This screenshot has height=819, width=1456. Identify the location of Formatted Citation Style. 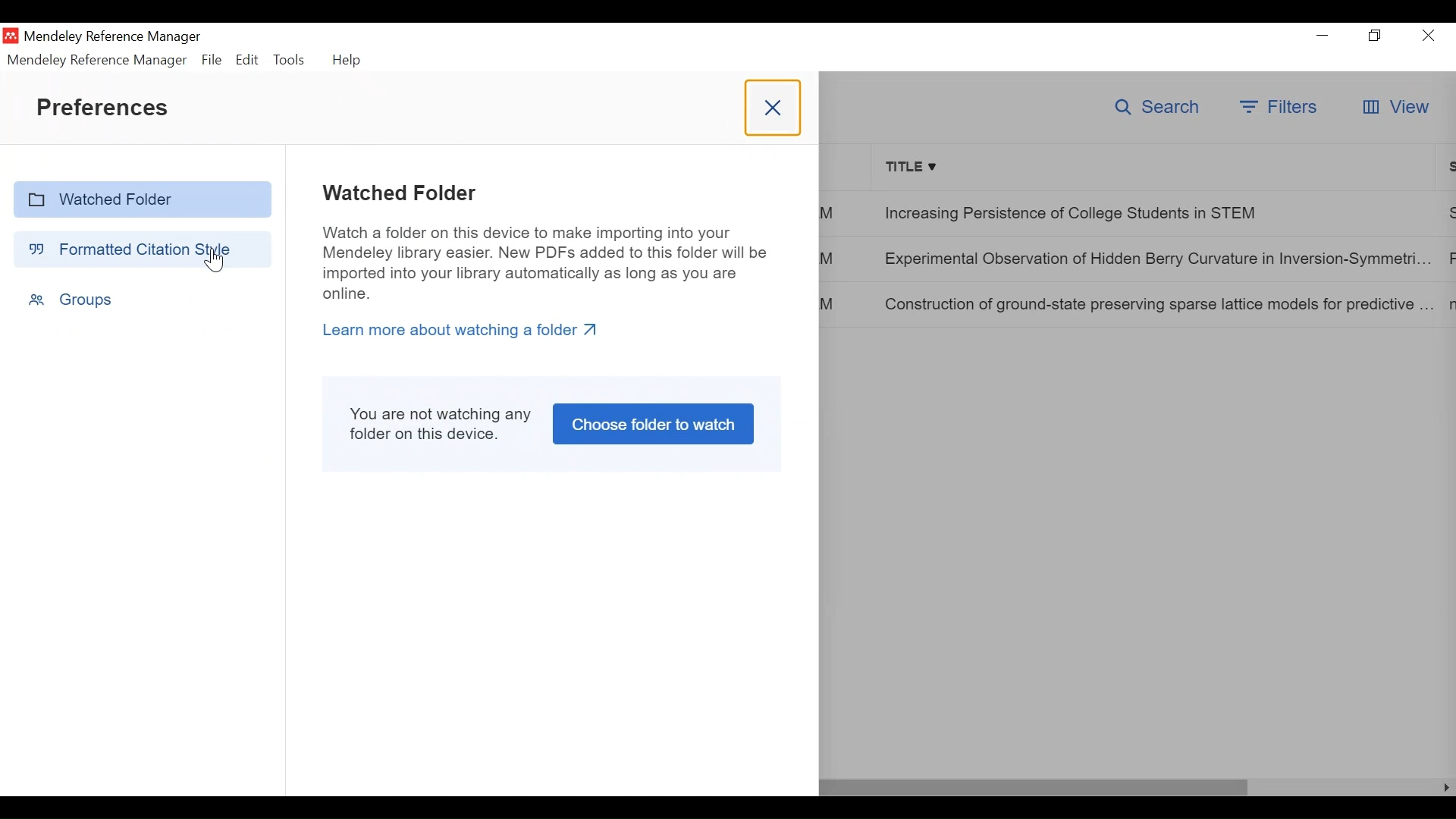
(140, 249).